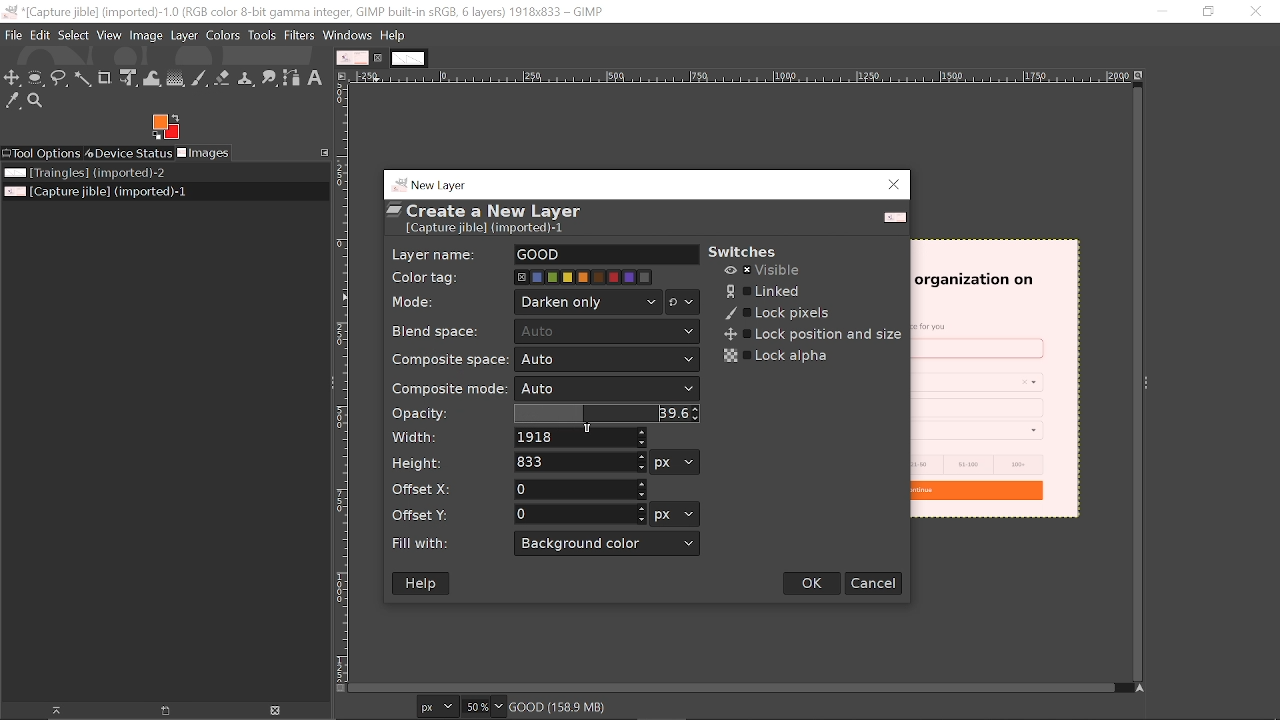  Describe the element at coordinates (608, 544) in the screenshot. I see `Fill with` at that location.